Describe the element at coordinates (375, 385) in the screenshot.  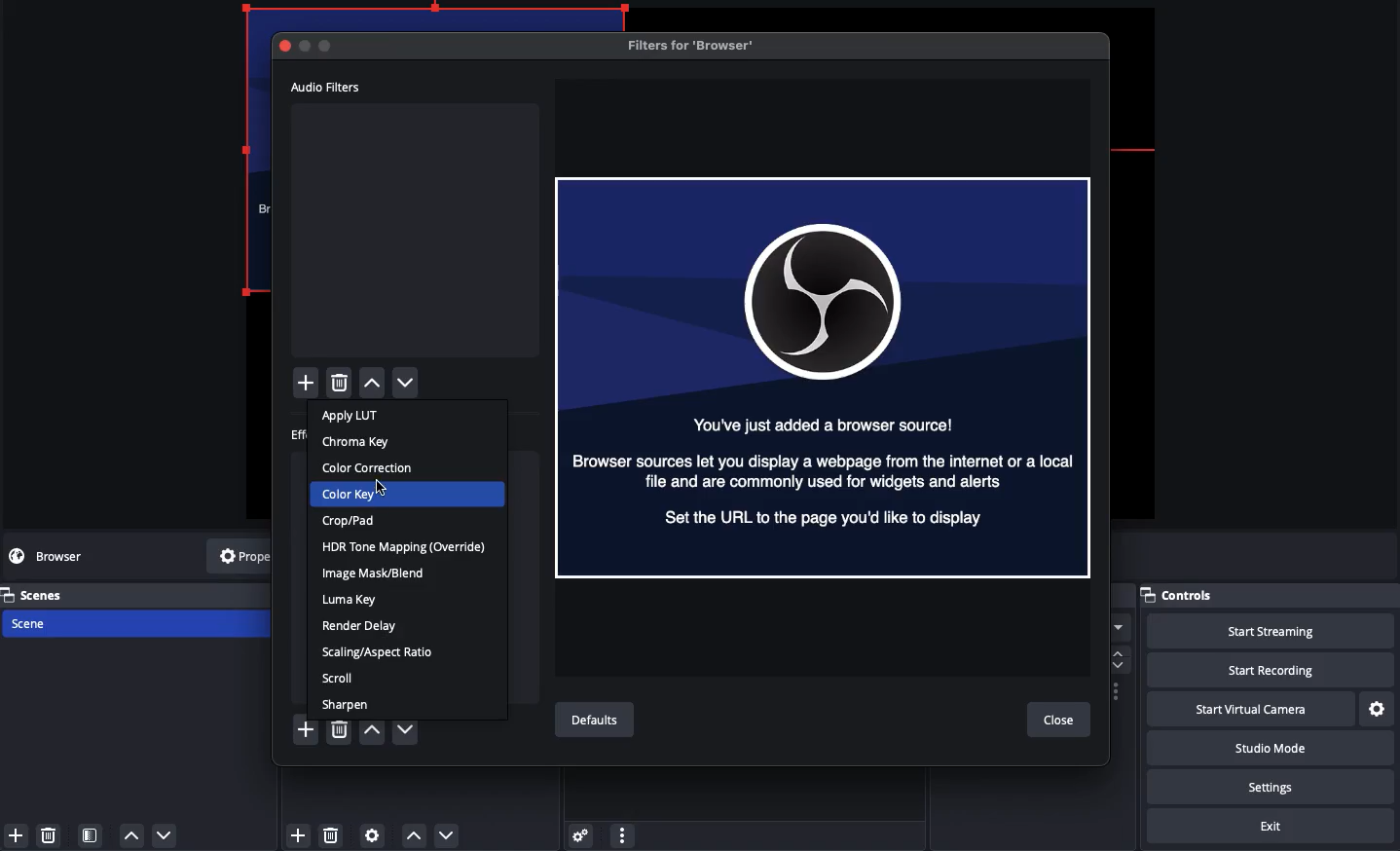
I see `up` at that location.